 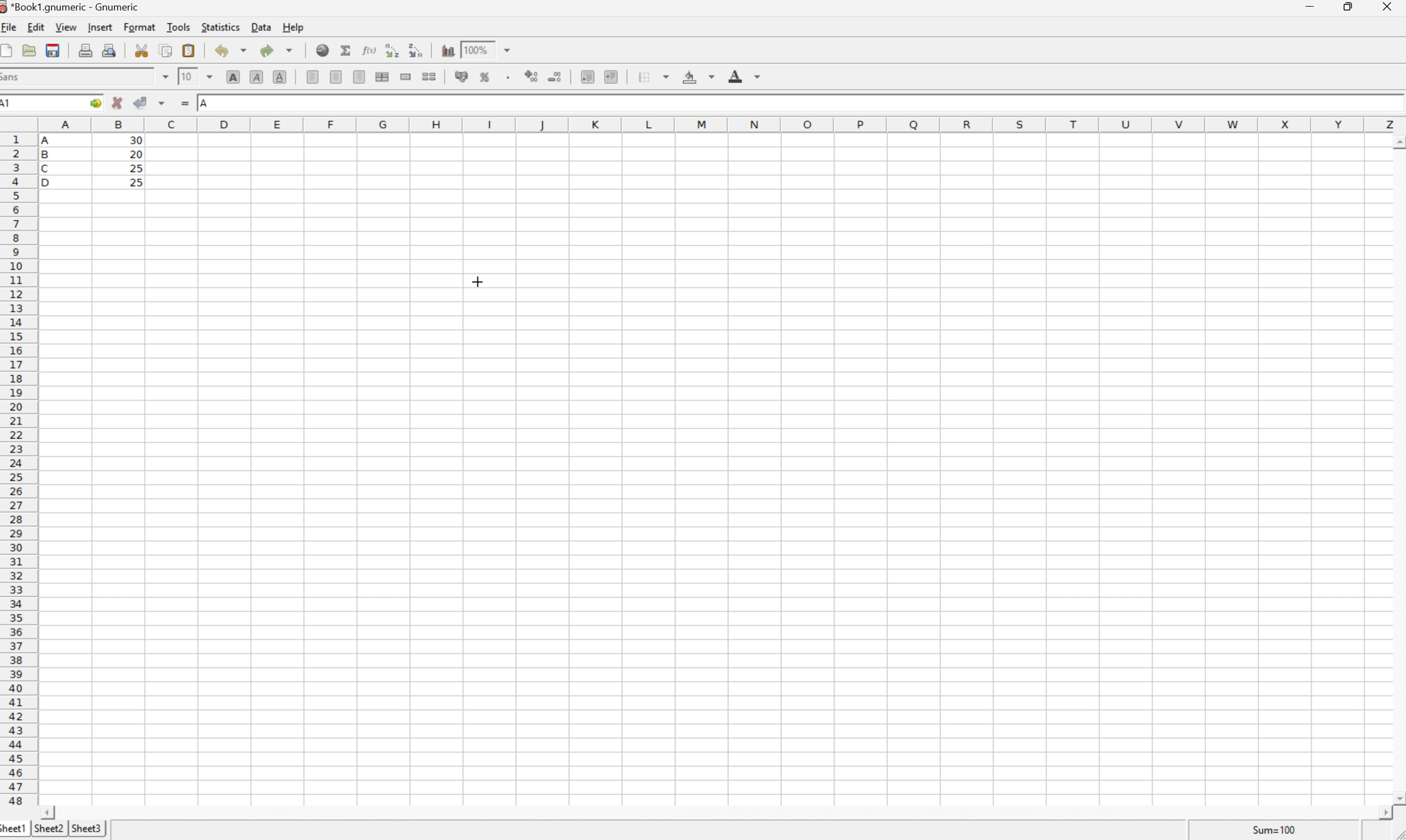 I want to click on Undo, so click(x=230, y=50).